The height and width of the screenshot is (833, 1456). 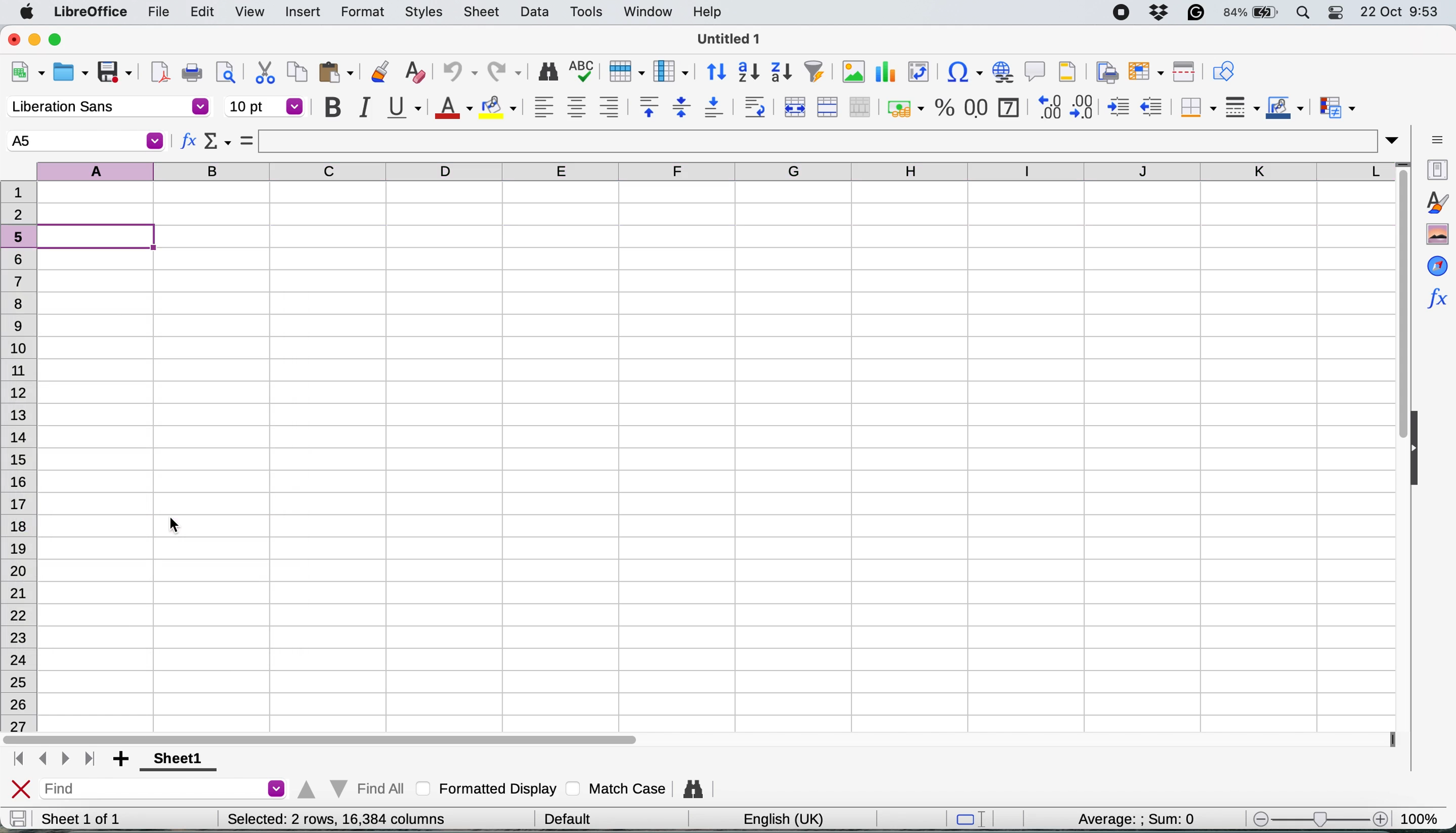 I want to click on formatted display, so click(x=489, y=787).